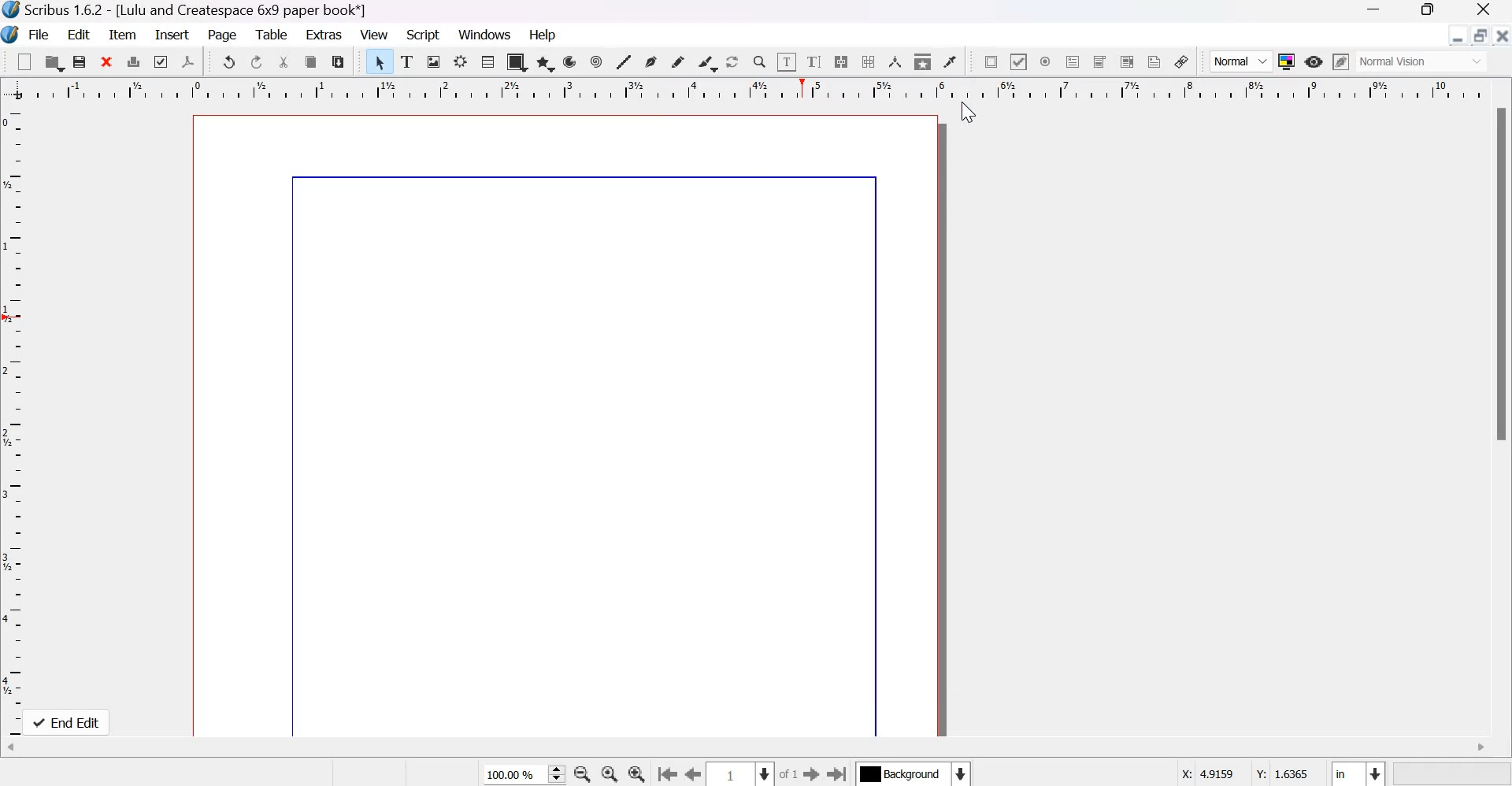 This screenshot has width=1512, height=786. Describe the element at coordinates (257, 61) in the screenshot. I see `redo` at that location.